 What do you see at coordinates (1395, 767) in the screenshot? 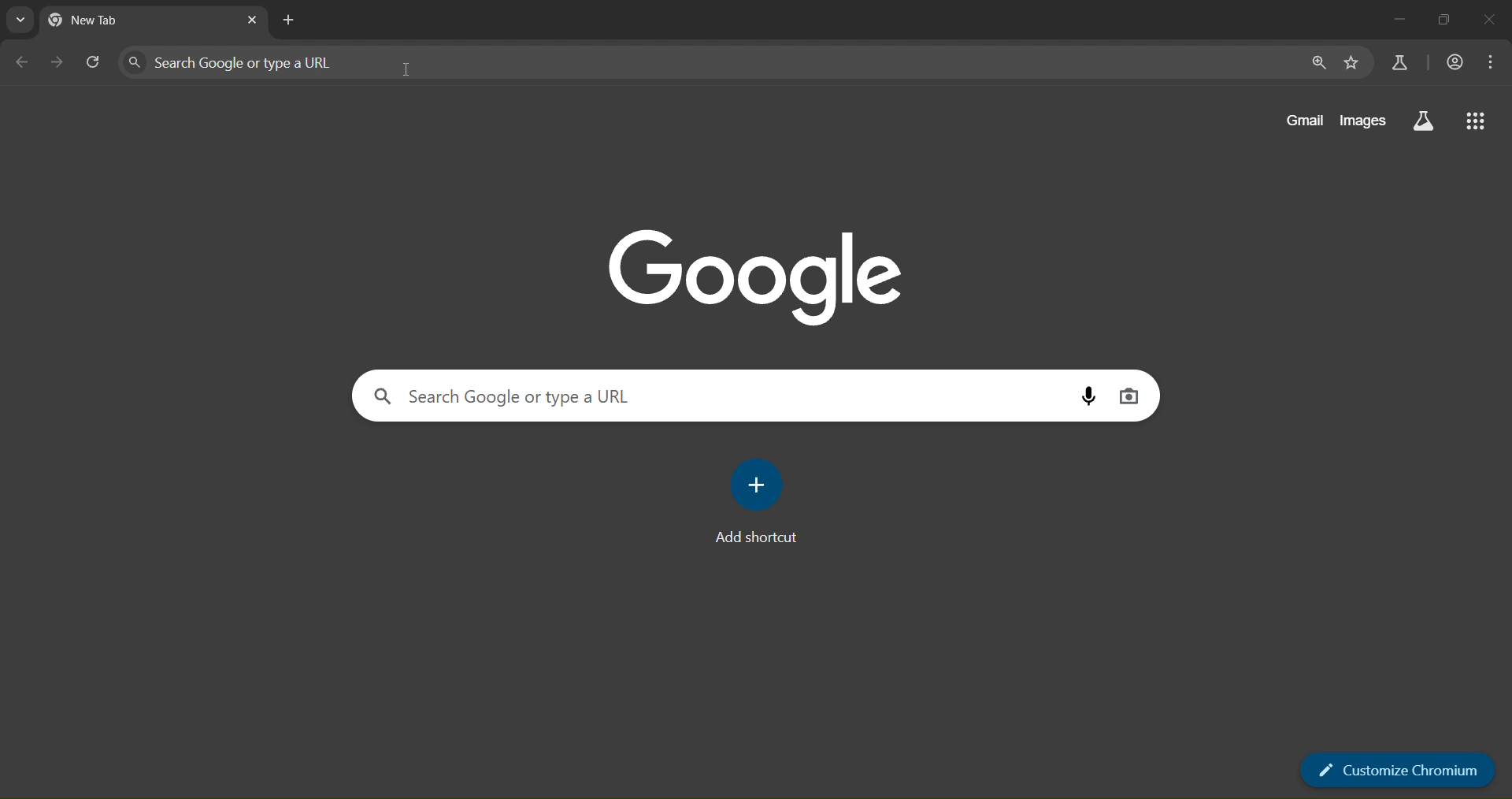
I see `customize chromium` at bounding box center [1395, 767].